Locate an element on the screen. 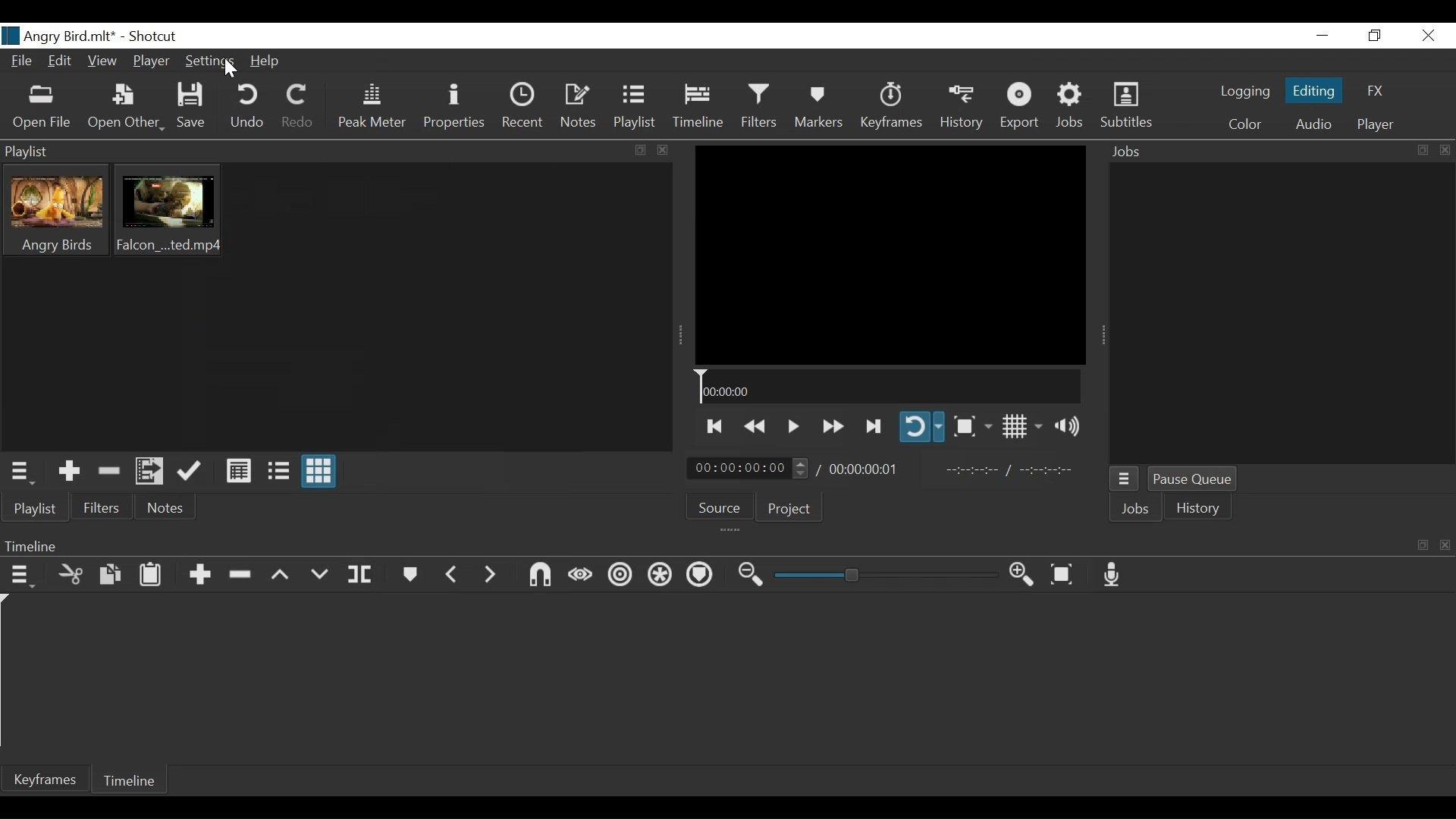  Notes is located at coordinates (163, 508).